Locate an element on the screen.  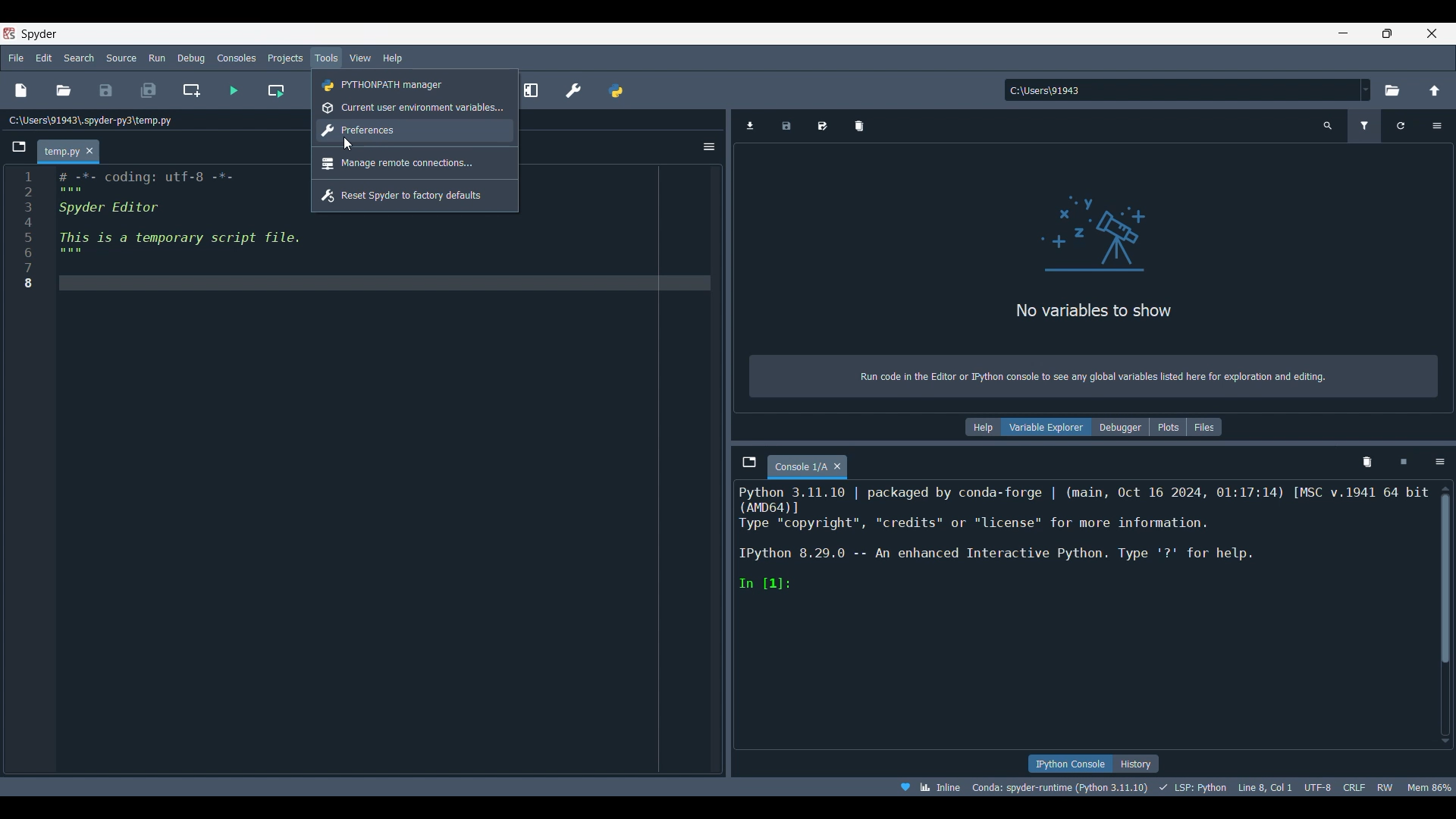
Debug menu is located at coordinates (191, 58).